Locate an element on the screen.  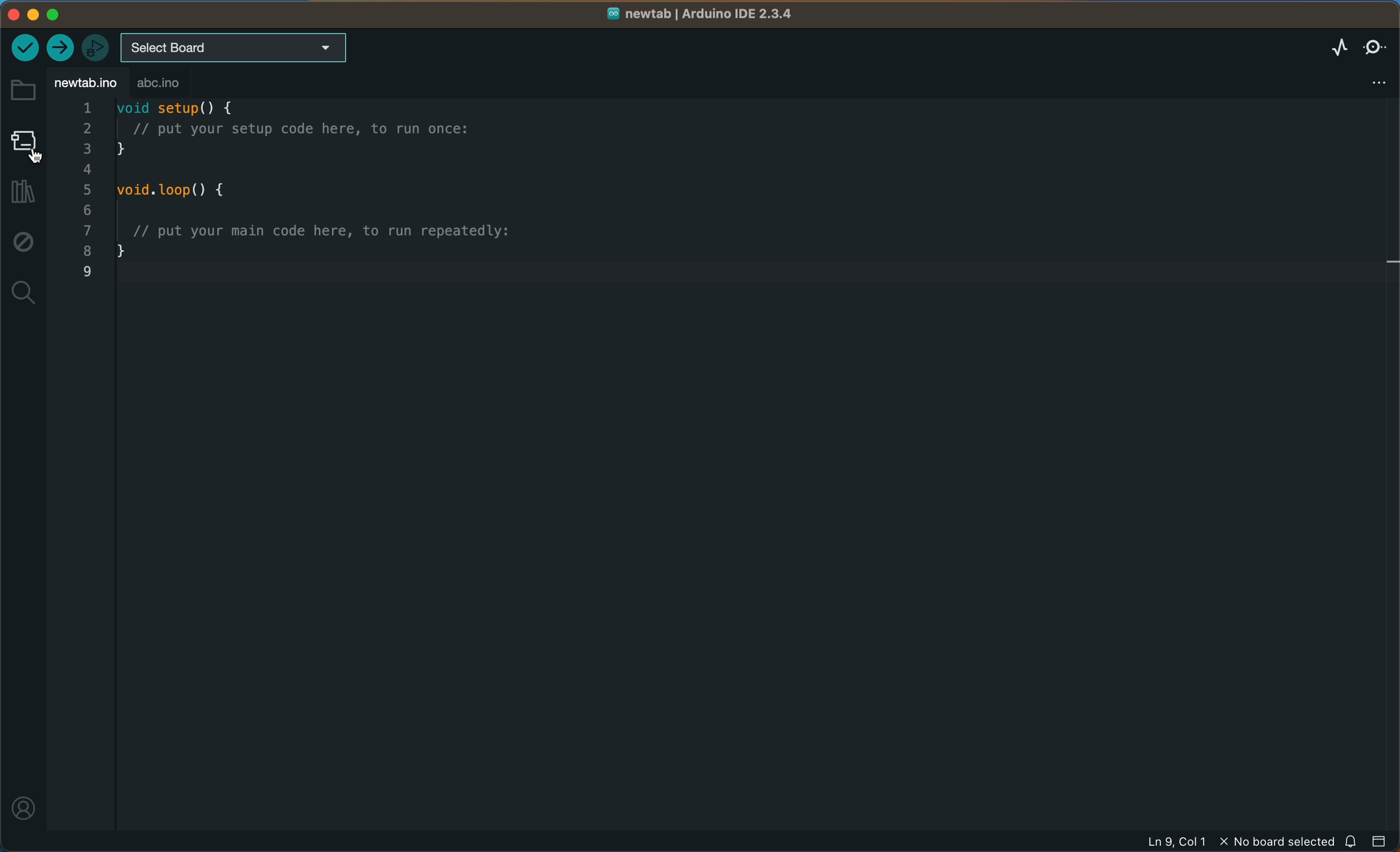
board selecter is located at coordinates (244, 47).